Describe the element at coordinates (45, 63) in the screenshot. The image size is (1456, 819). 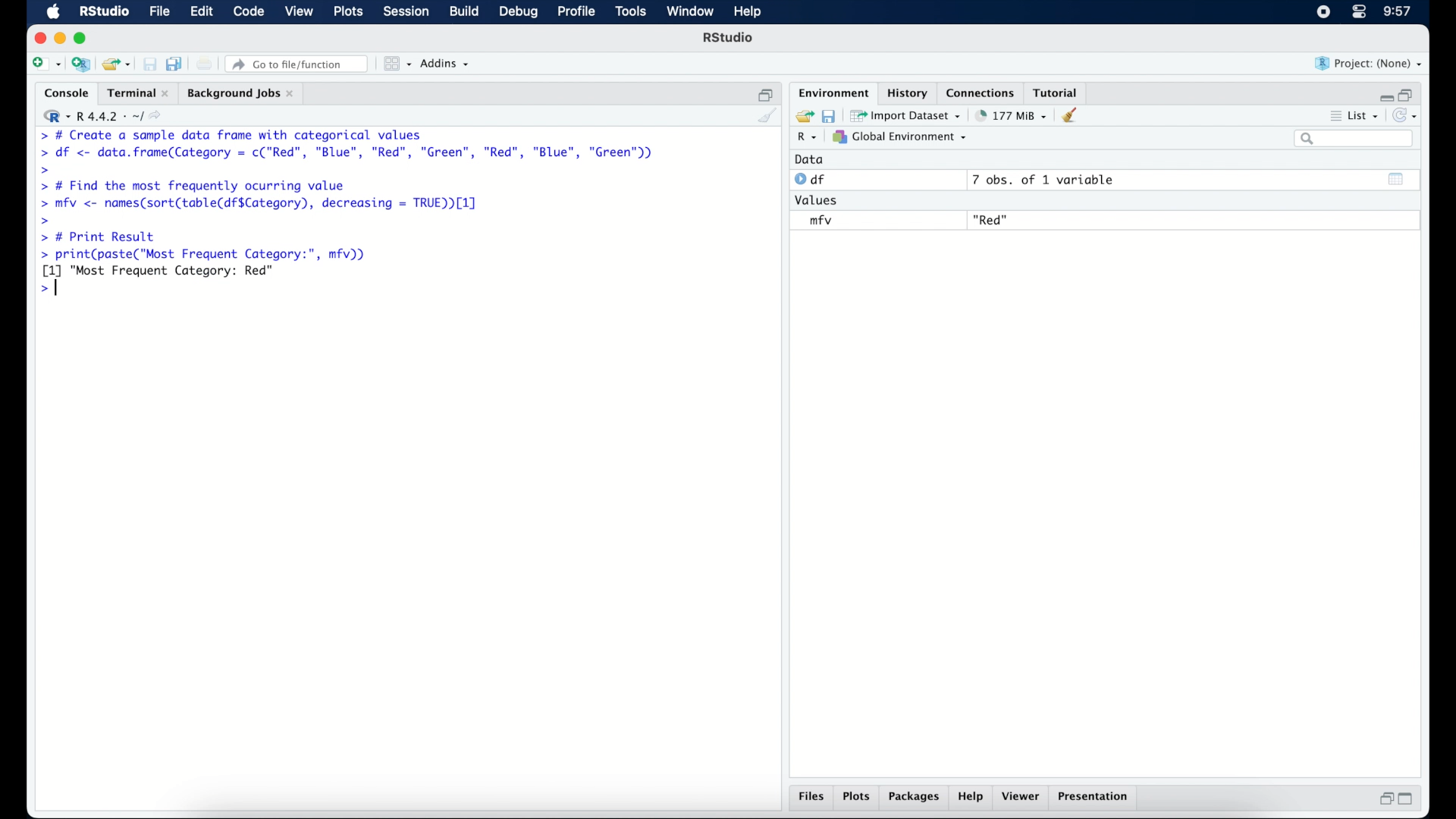
I see `new file` at that location.